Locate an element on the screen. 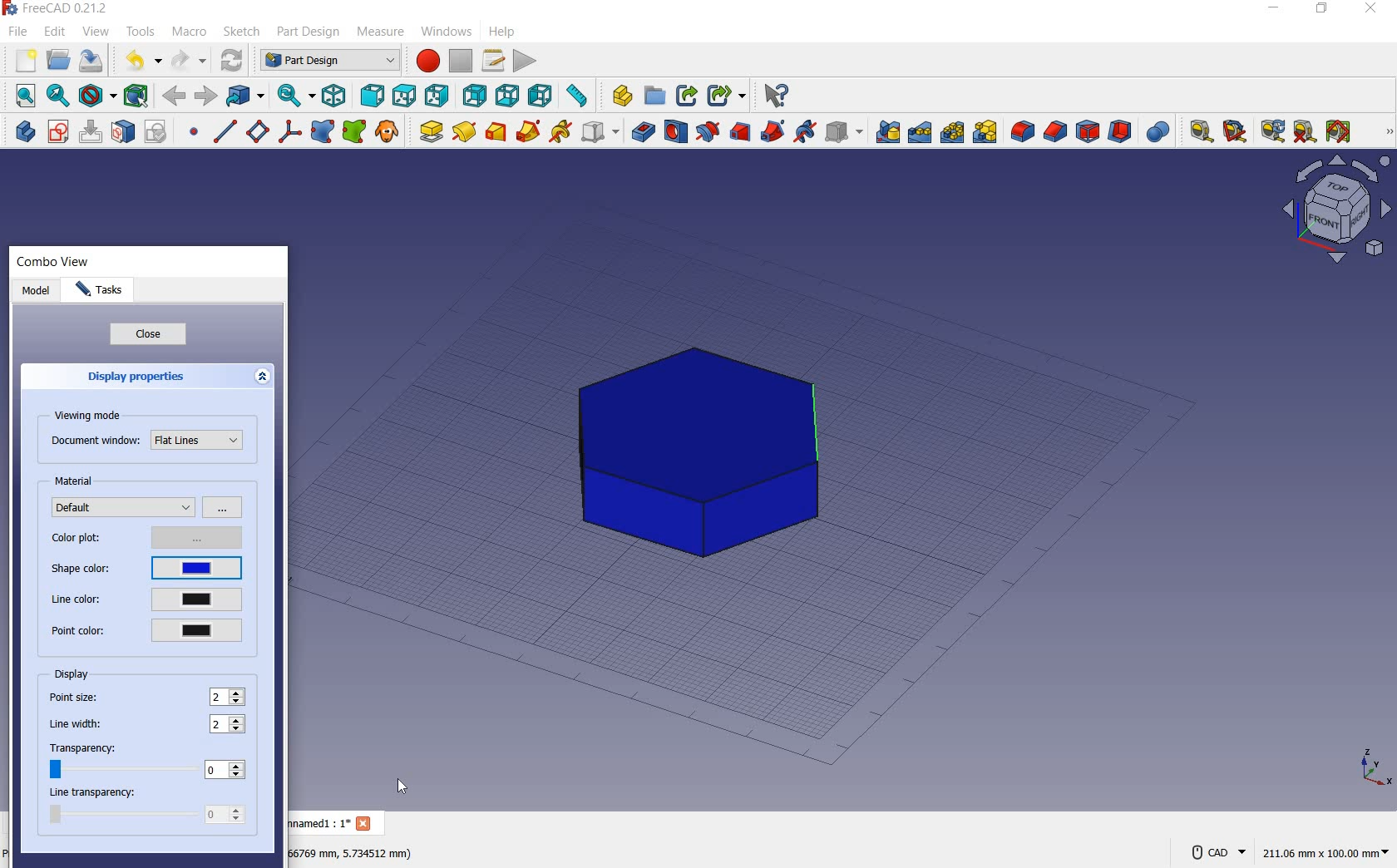 The height and width of the screenshot is (868, 1397). pocket is located at coordinates (641, 131).